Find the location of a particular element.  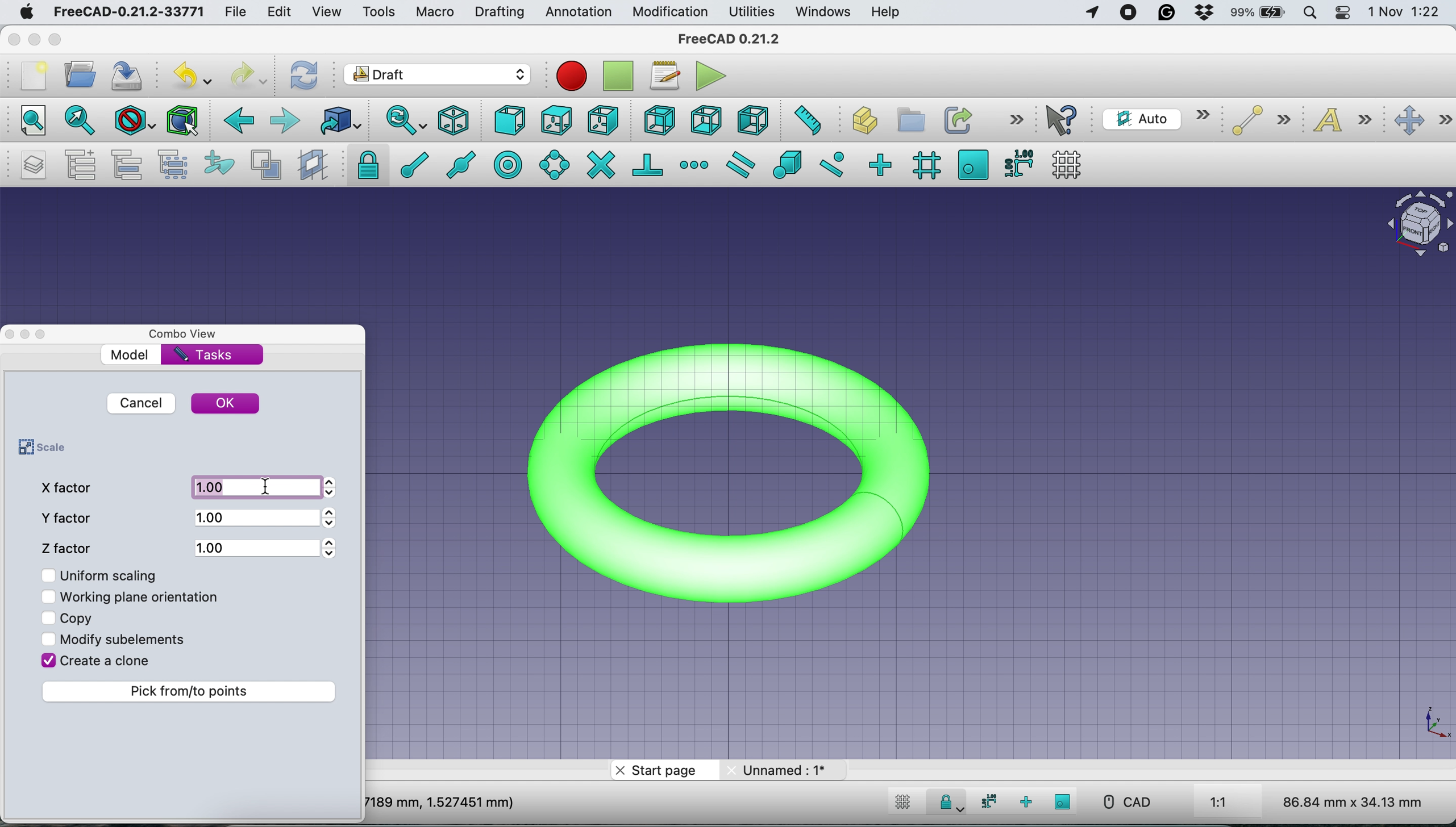

ok is located at coordinates (227, 404).